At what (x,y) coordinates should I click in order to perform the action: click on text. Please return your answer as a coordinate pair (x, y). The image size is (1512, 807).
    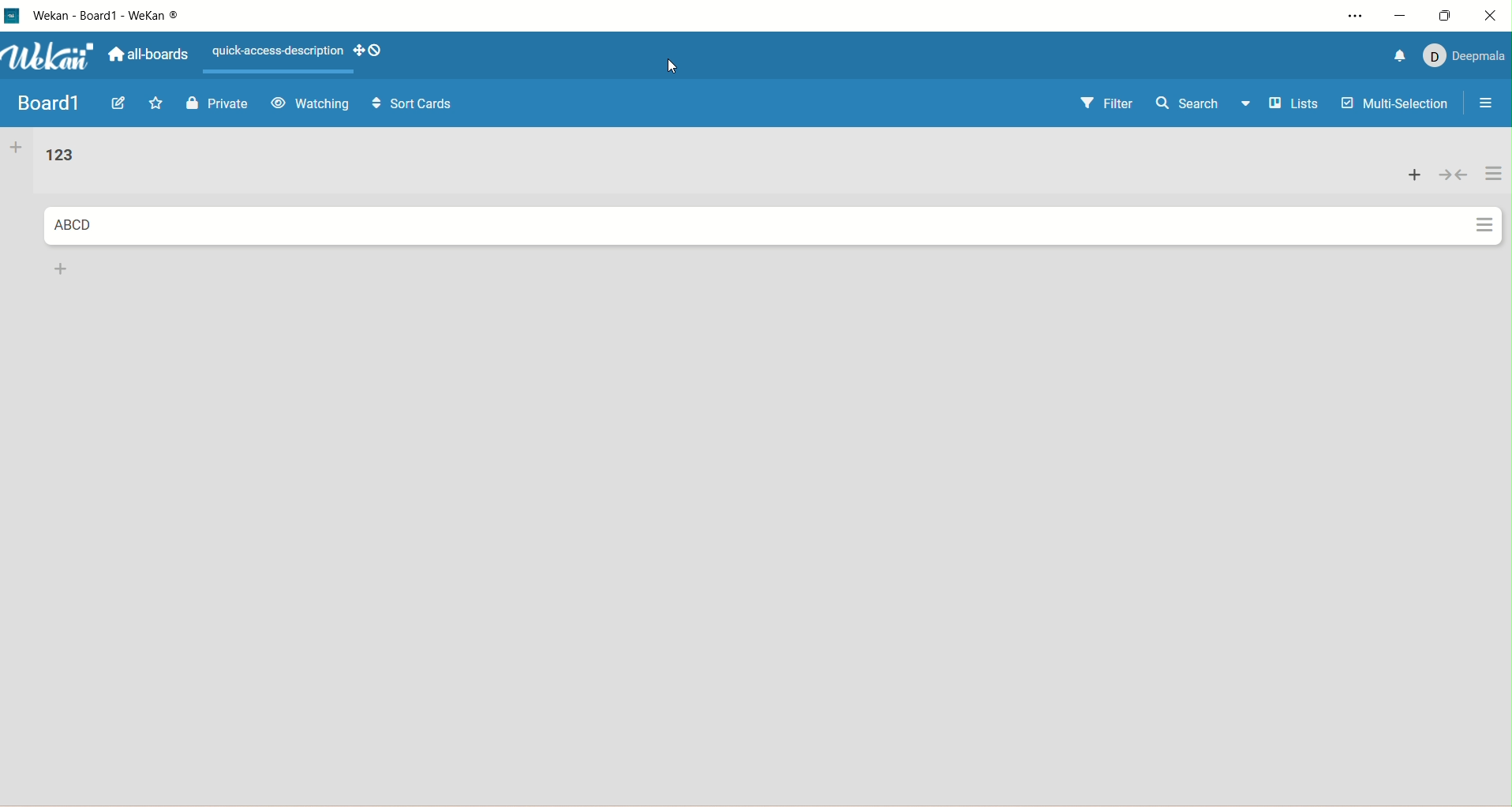
    Looking at the image, I should click on (274, 52).